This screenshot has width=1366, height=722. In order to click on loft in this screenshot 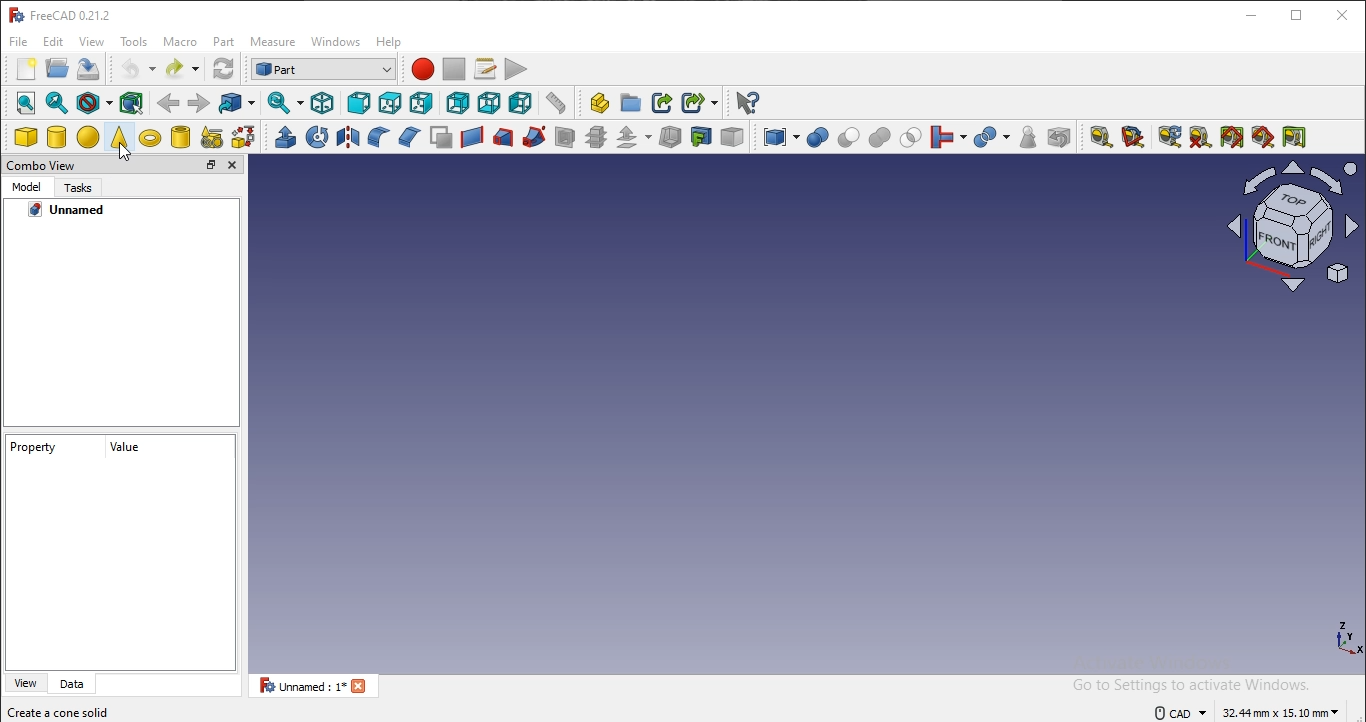, I will do `click(502, 136)`.